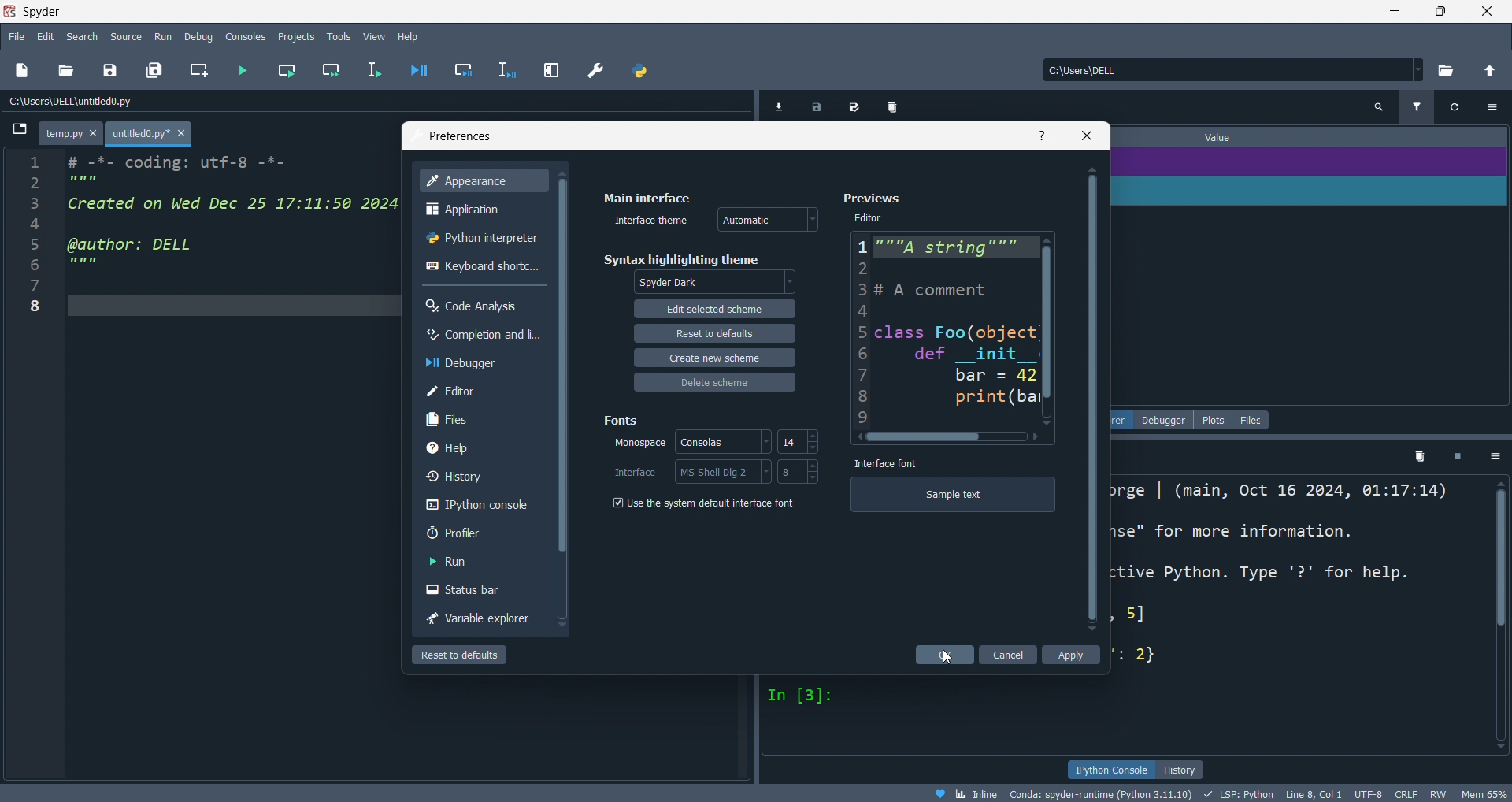 This screenshot has height=802, width=1512. I want to click on 14, so click(792, 442).